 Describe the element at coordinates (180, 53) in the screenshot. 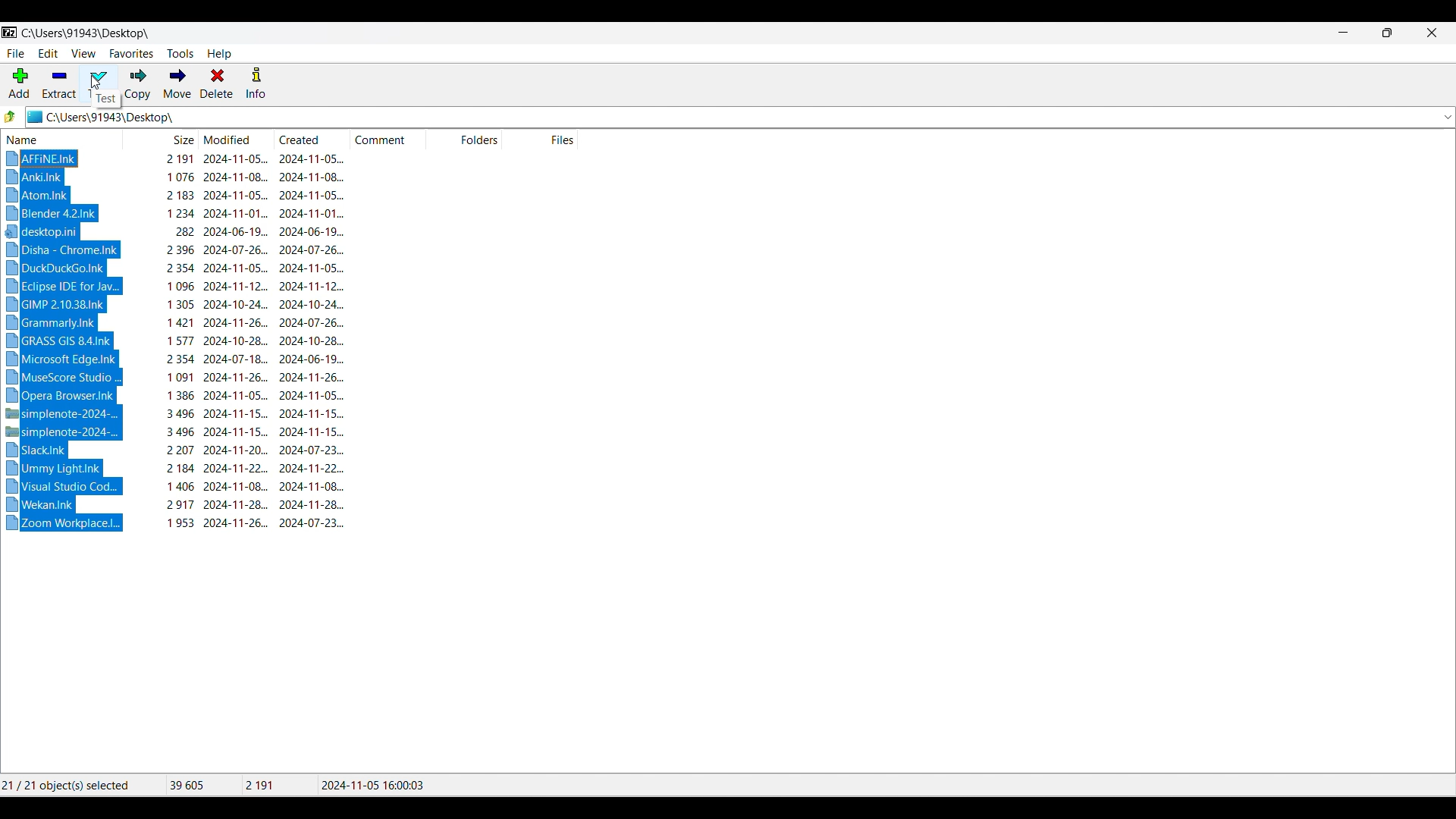

I see `Tools menu` at that location.